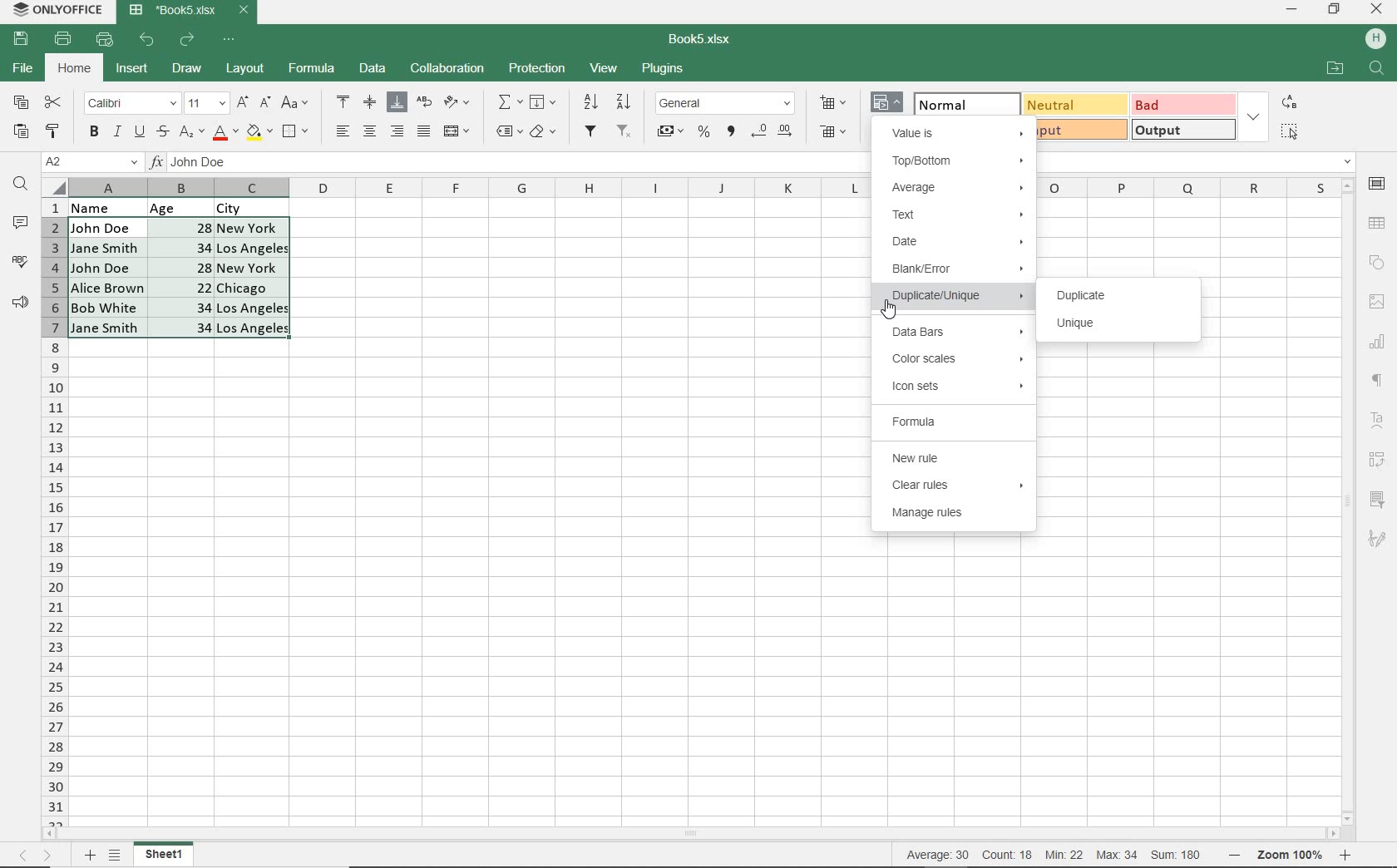  I want to click on SELECT ALL, so click(1289, 131).